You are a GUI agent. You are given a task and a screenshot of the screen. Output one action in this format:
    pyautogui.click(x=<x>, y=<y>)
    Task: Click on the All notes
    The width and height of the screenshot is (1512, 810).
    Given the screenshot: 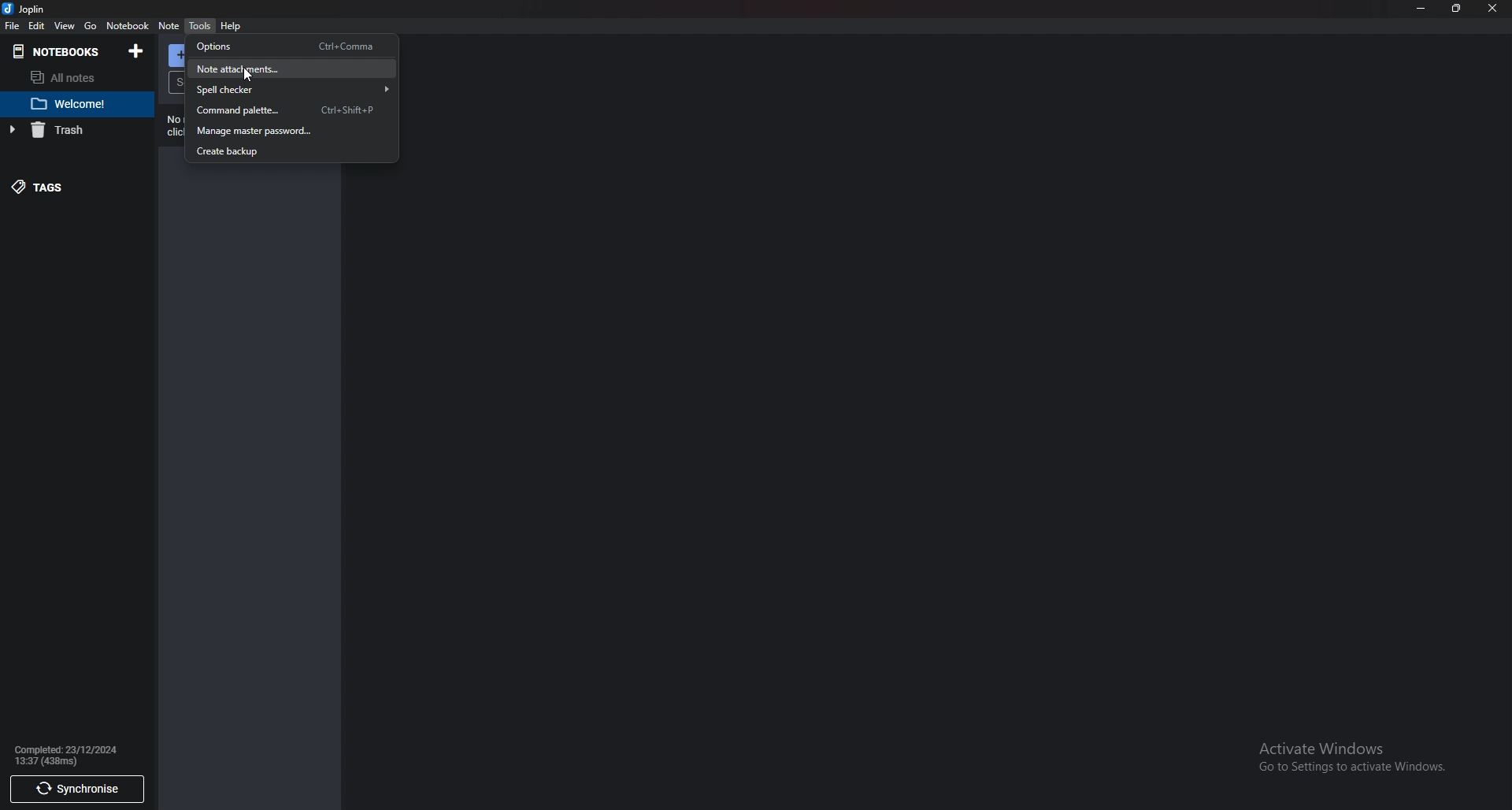 What is the action you would take?
    pyautogui.click(x=77, y=76)
    